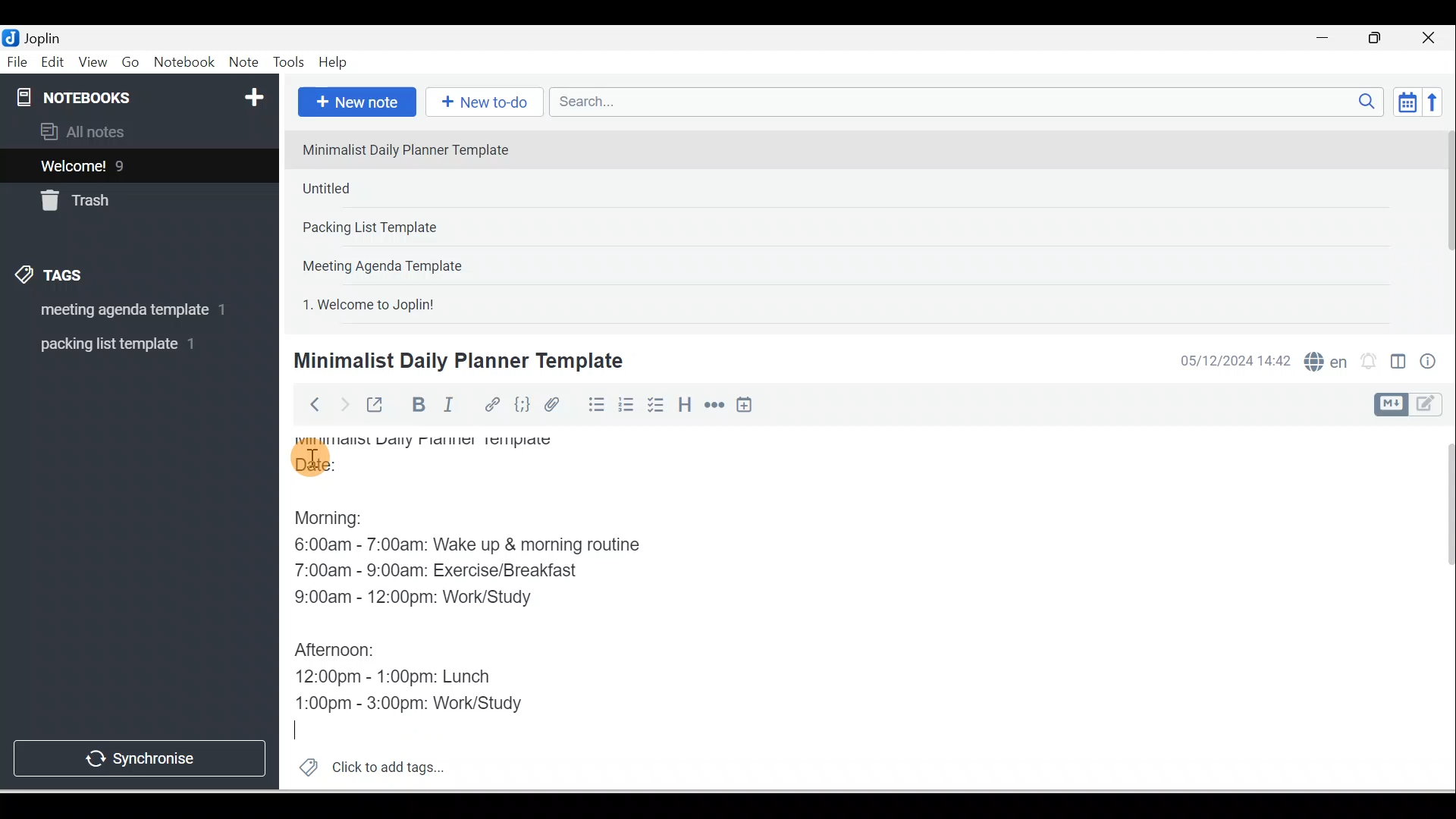 The image size is (1456, 819). What do you see at coordinates (1407, 101) in the screenshot?
I see `Toggle sort order` at bounding box center [1407, 101].